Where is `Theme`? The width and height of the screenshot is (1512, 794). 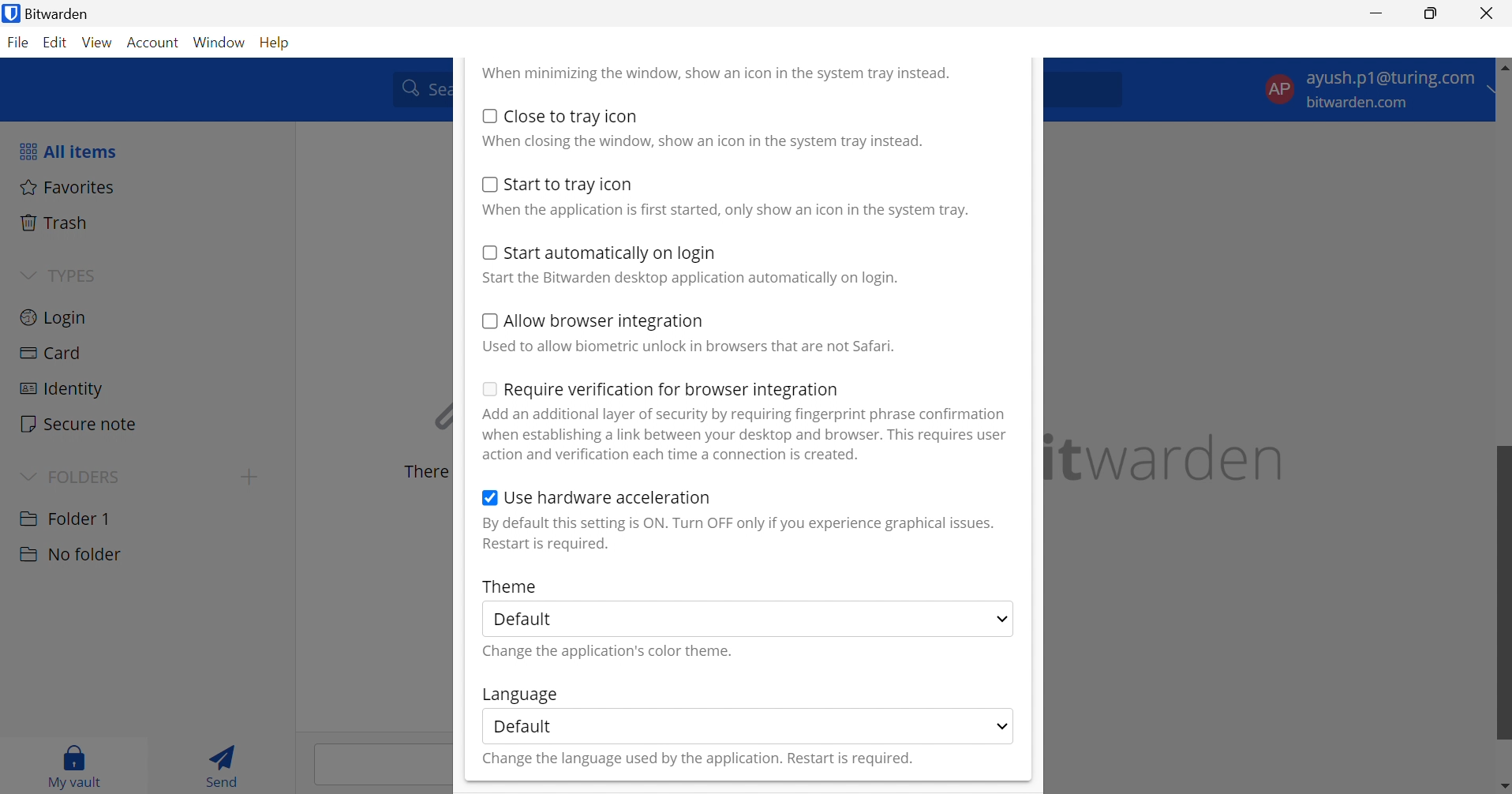
Theme is located at coordinates (511, 586).